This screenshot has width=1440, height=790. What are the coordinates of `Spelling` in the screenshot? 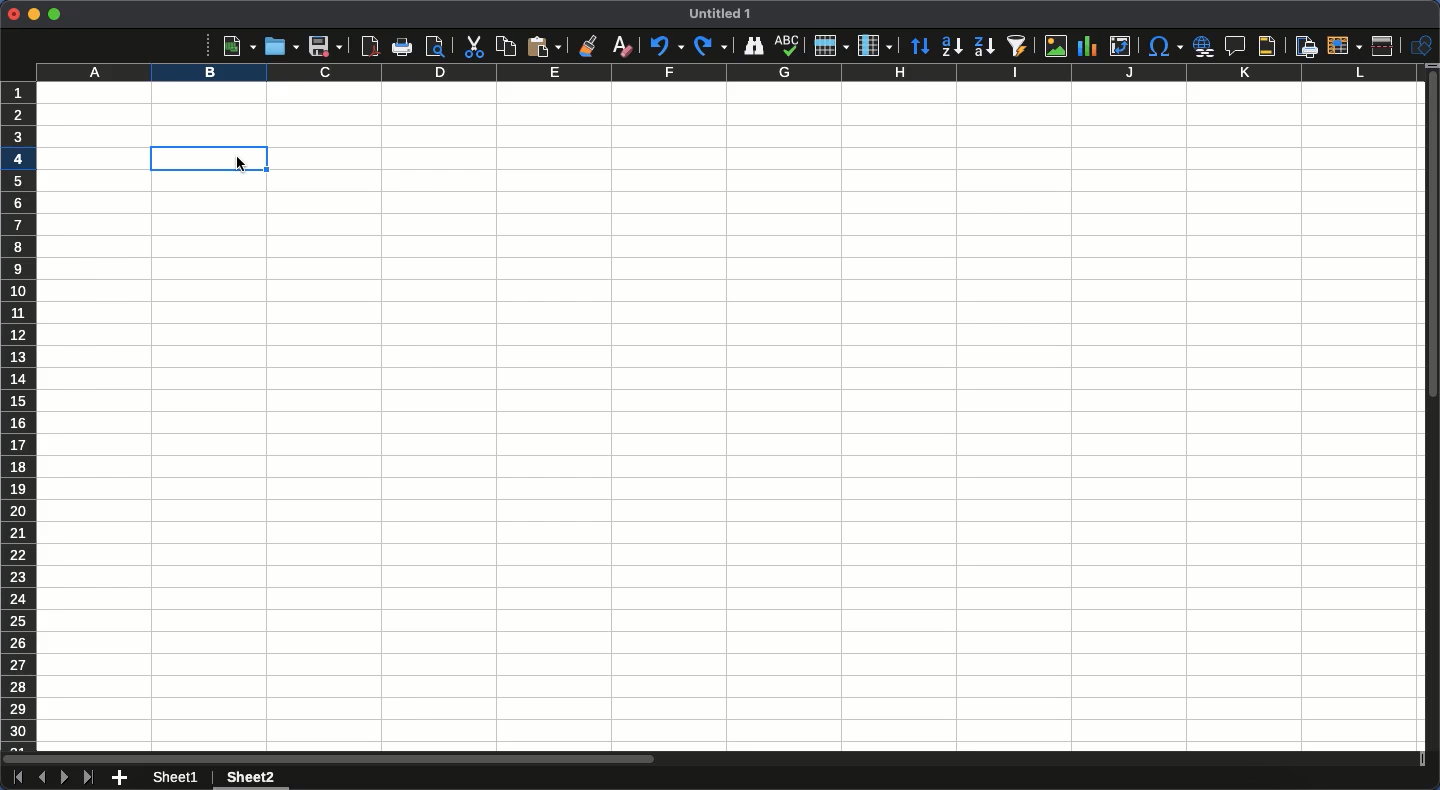 It's located at (787, 46).